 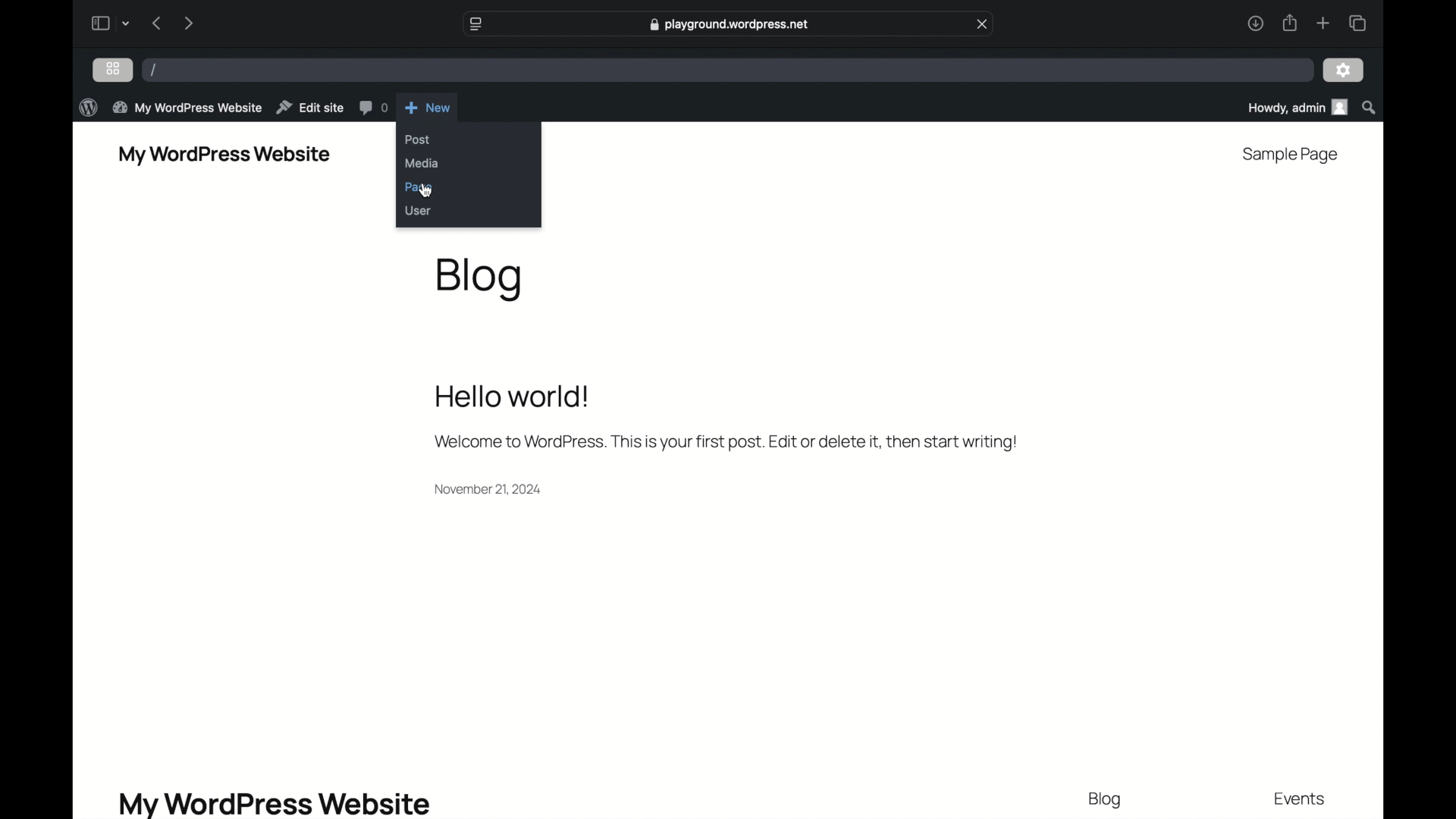 I want to click on web address, so click(x=731, y=24).